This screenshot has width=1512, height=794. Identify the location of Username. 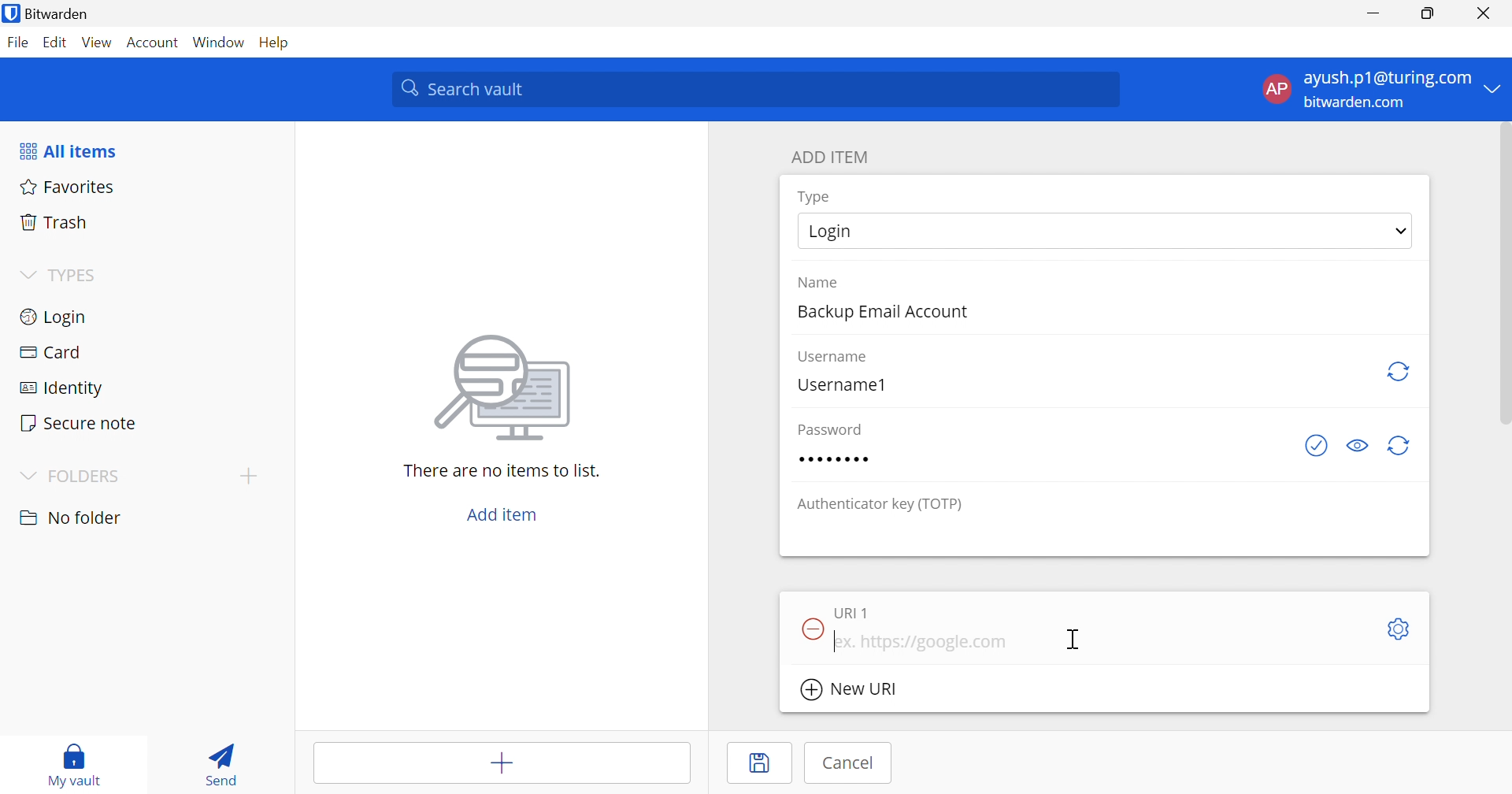
(835, 358).